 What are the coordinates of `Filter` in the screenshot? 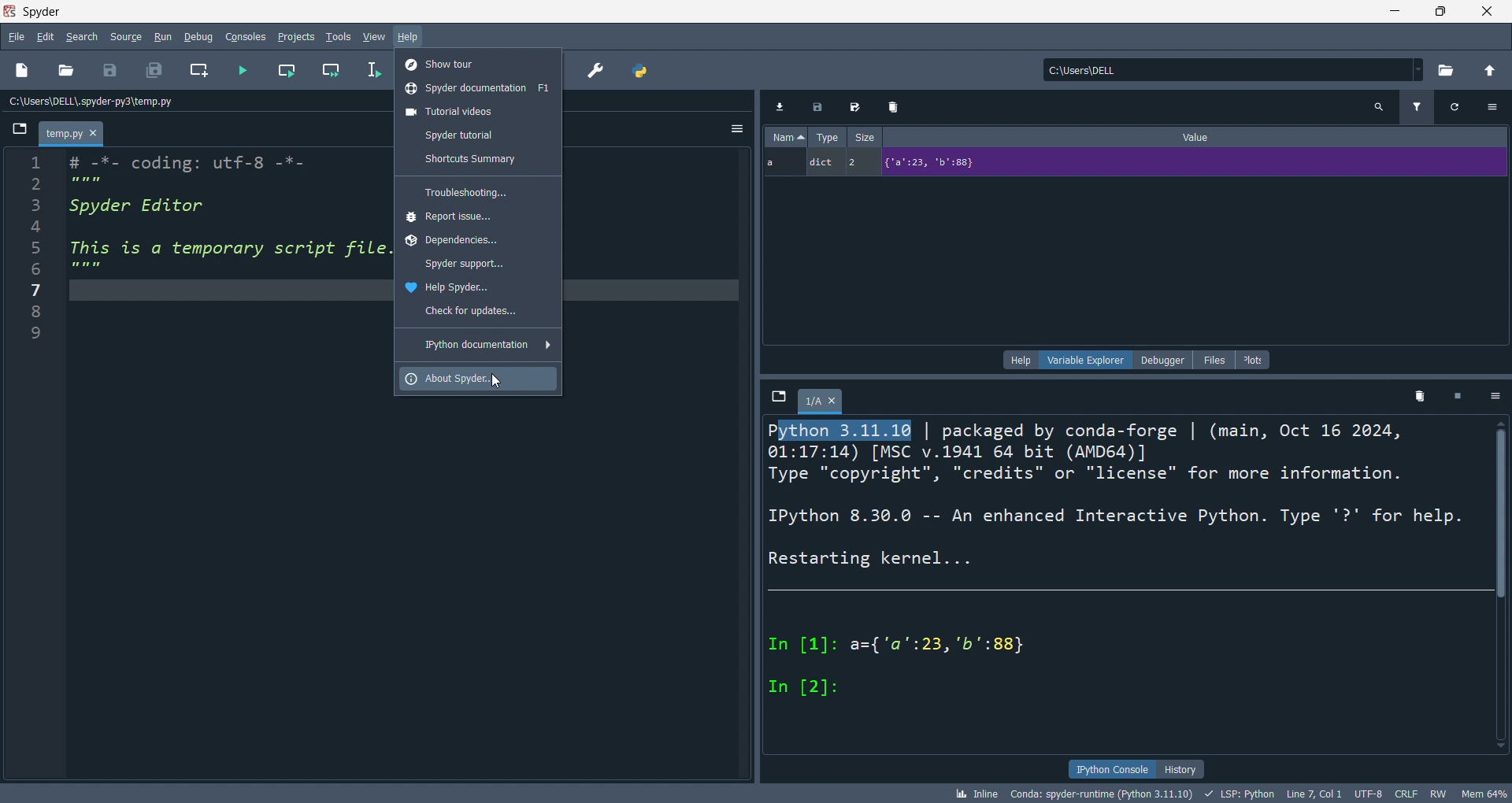 It's located at (1417, 108).